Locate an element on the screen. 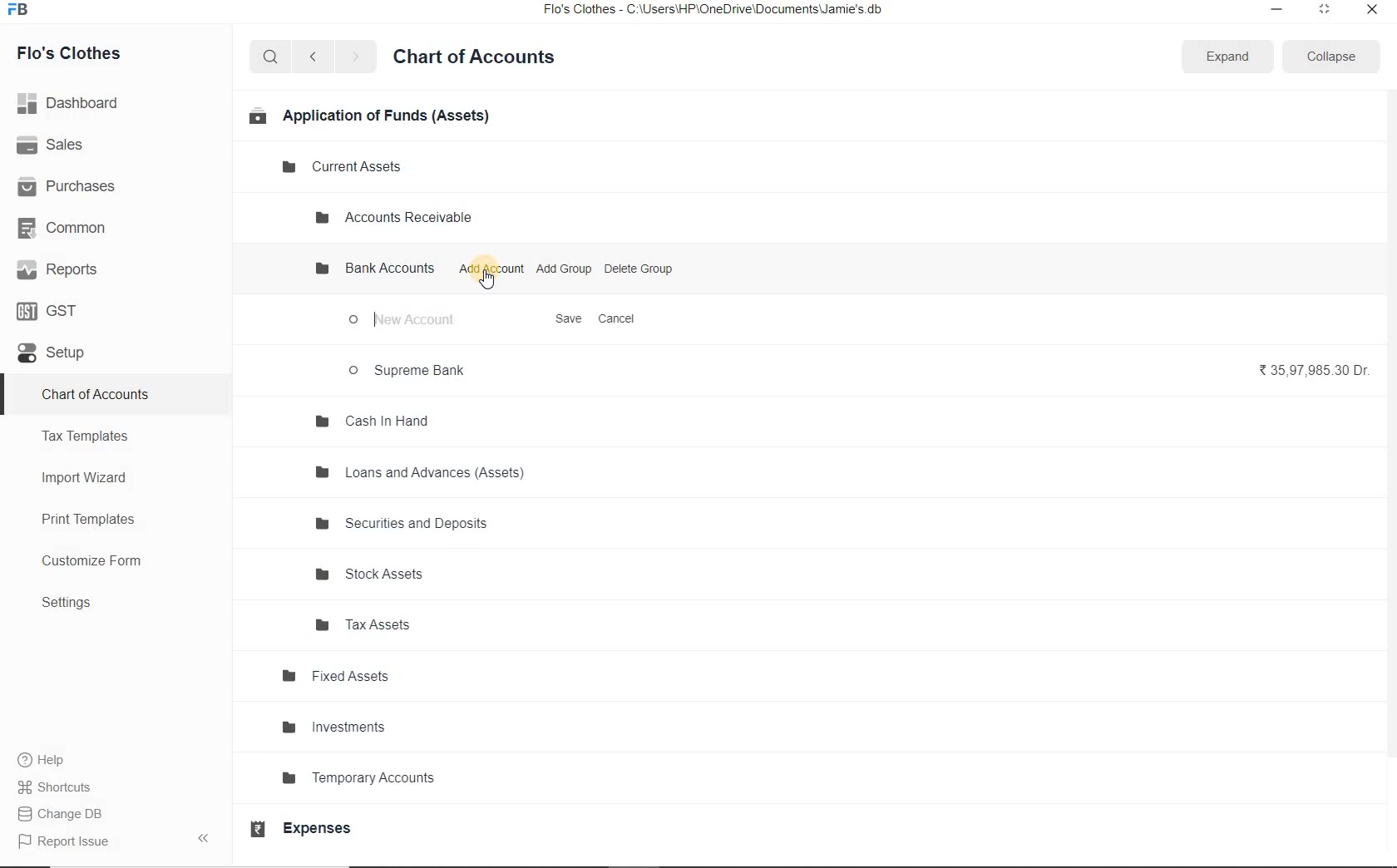 The image size is (1397, 868). Loans and Advances (Assets) is located at coordinates (431, 479).